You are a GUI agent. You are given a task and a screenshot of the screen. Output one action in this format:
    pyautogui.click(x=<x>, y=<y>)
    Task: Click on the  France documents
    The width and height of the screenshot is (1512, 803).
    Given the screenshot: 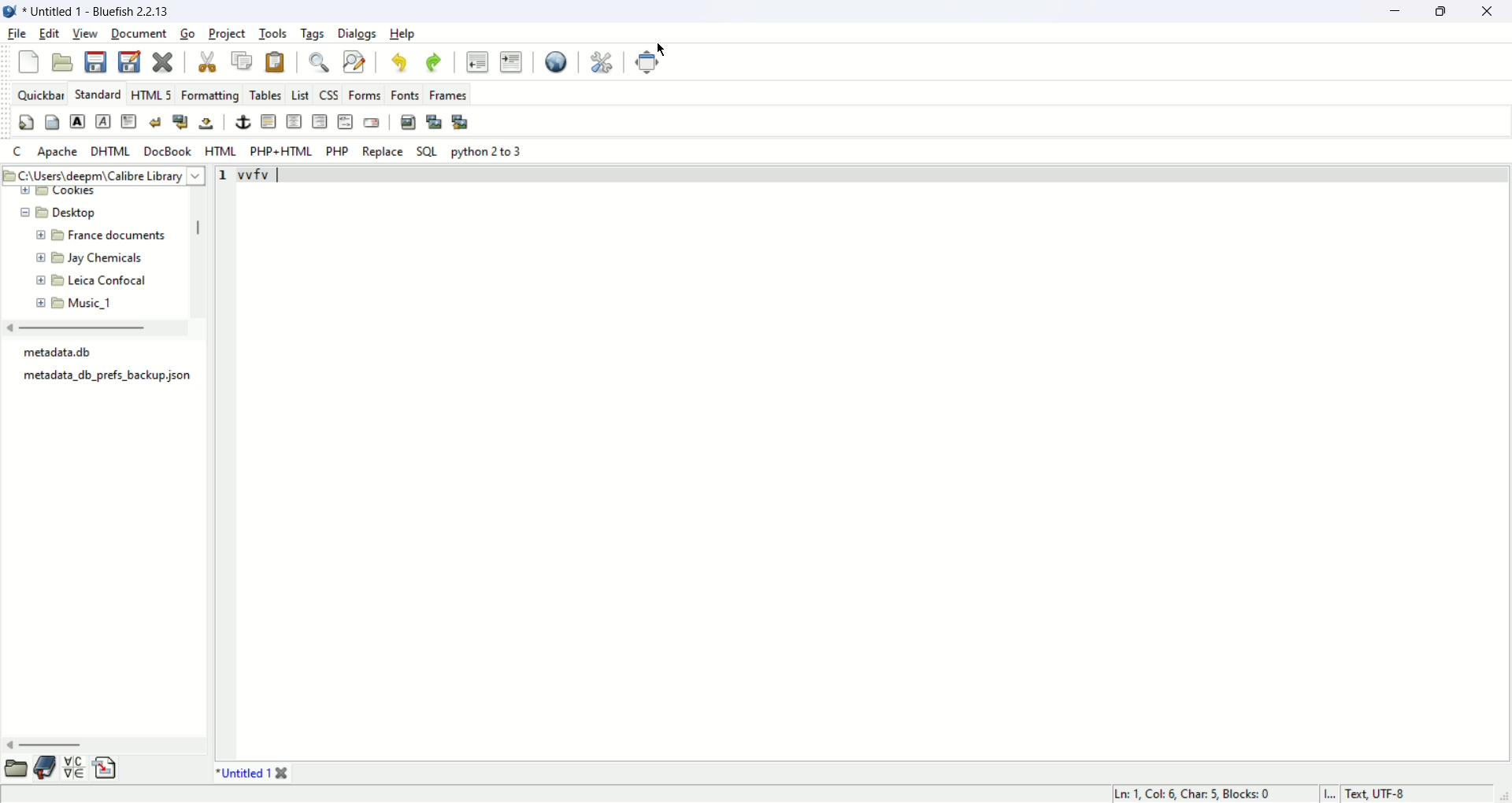 What is the action you would take?
    pyautogui.click(x=114, y=238)
    